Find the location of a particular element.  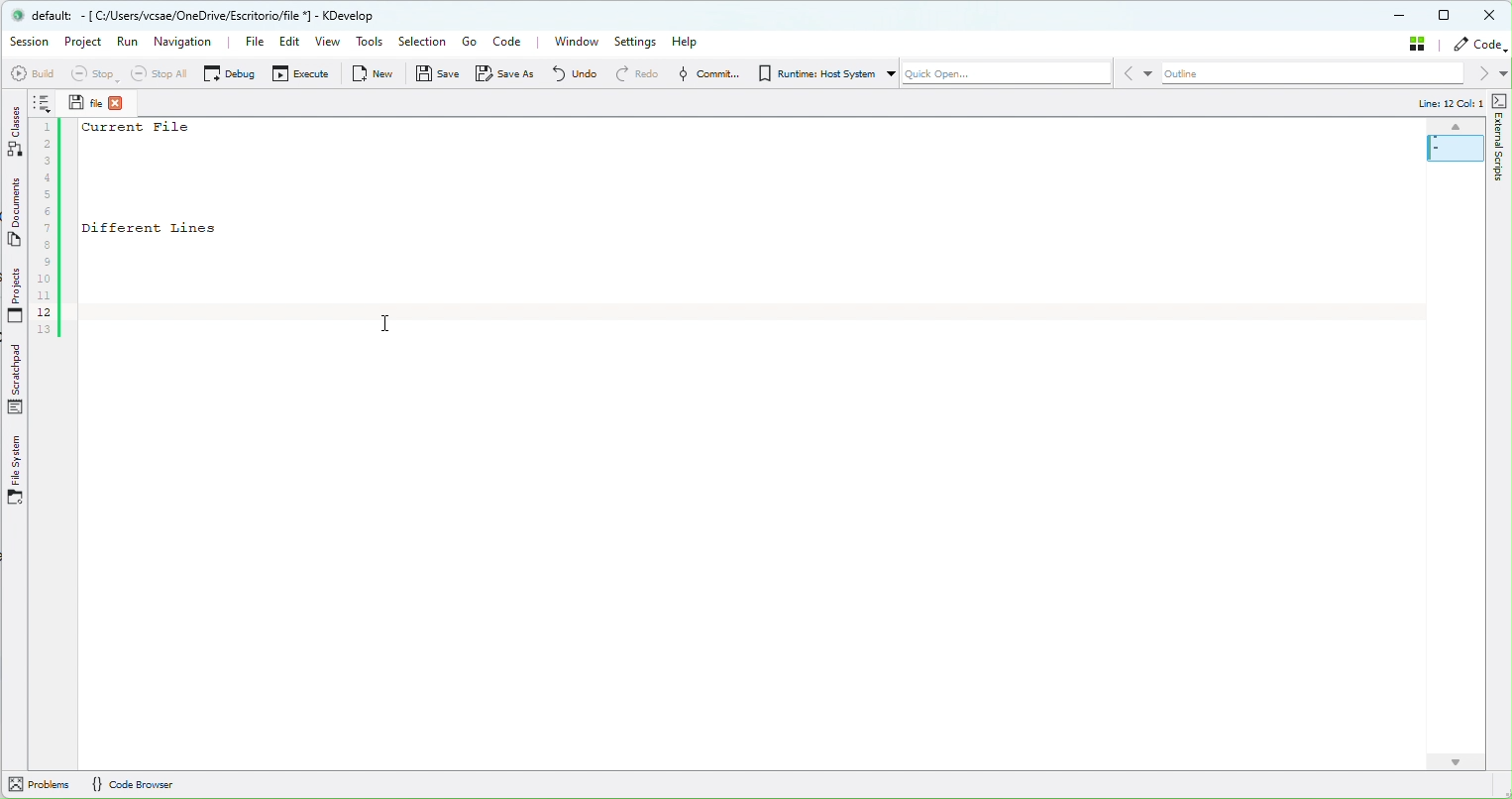

File is located at coordinates (100, 103).